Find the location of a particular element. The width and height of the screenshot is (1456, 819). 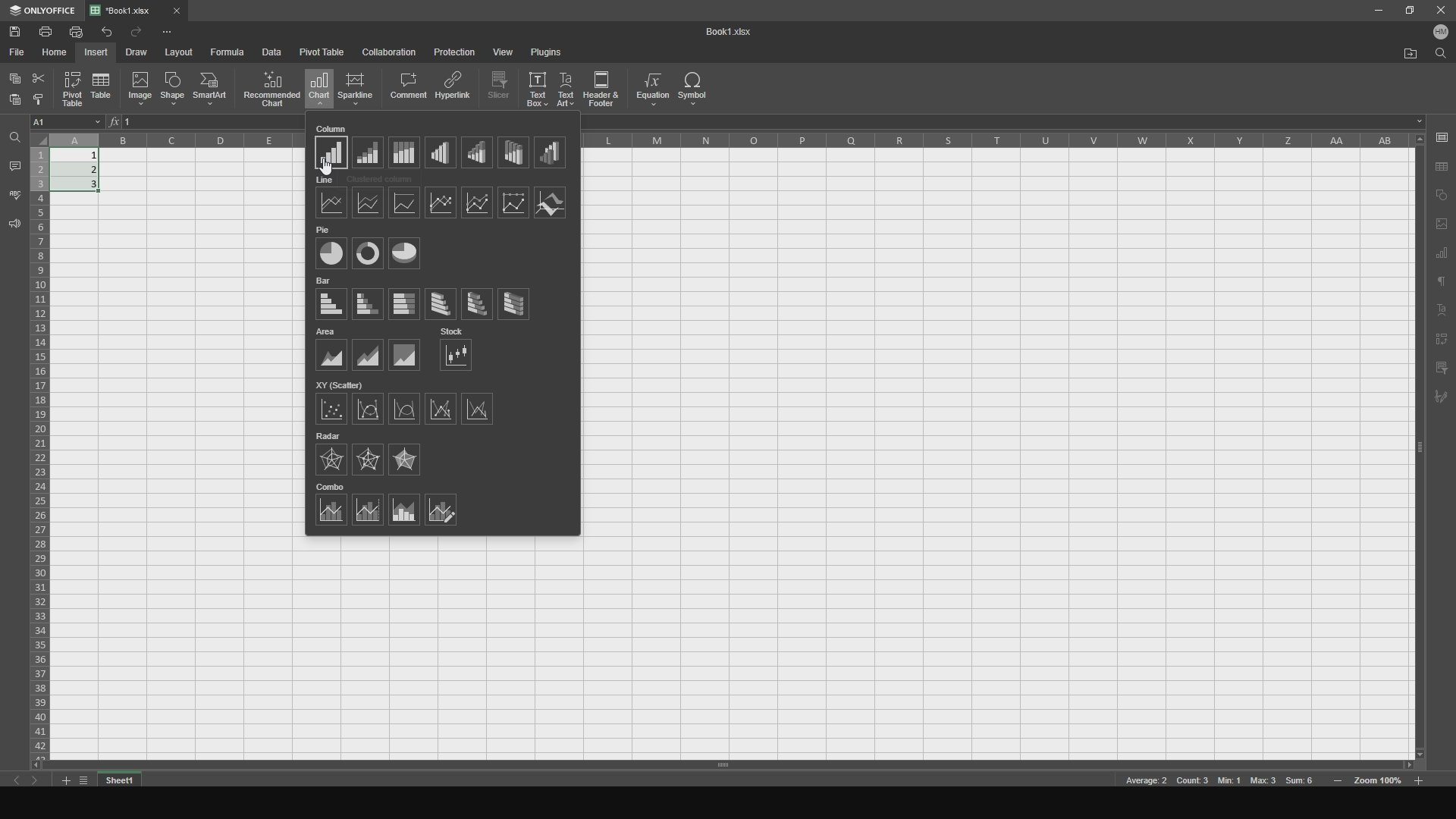

save is located at coordinates (1442, 136).